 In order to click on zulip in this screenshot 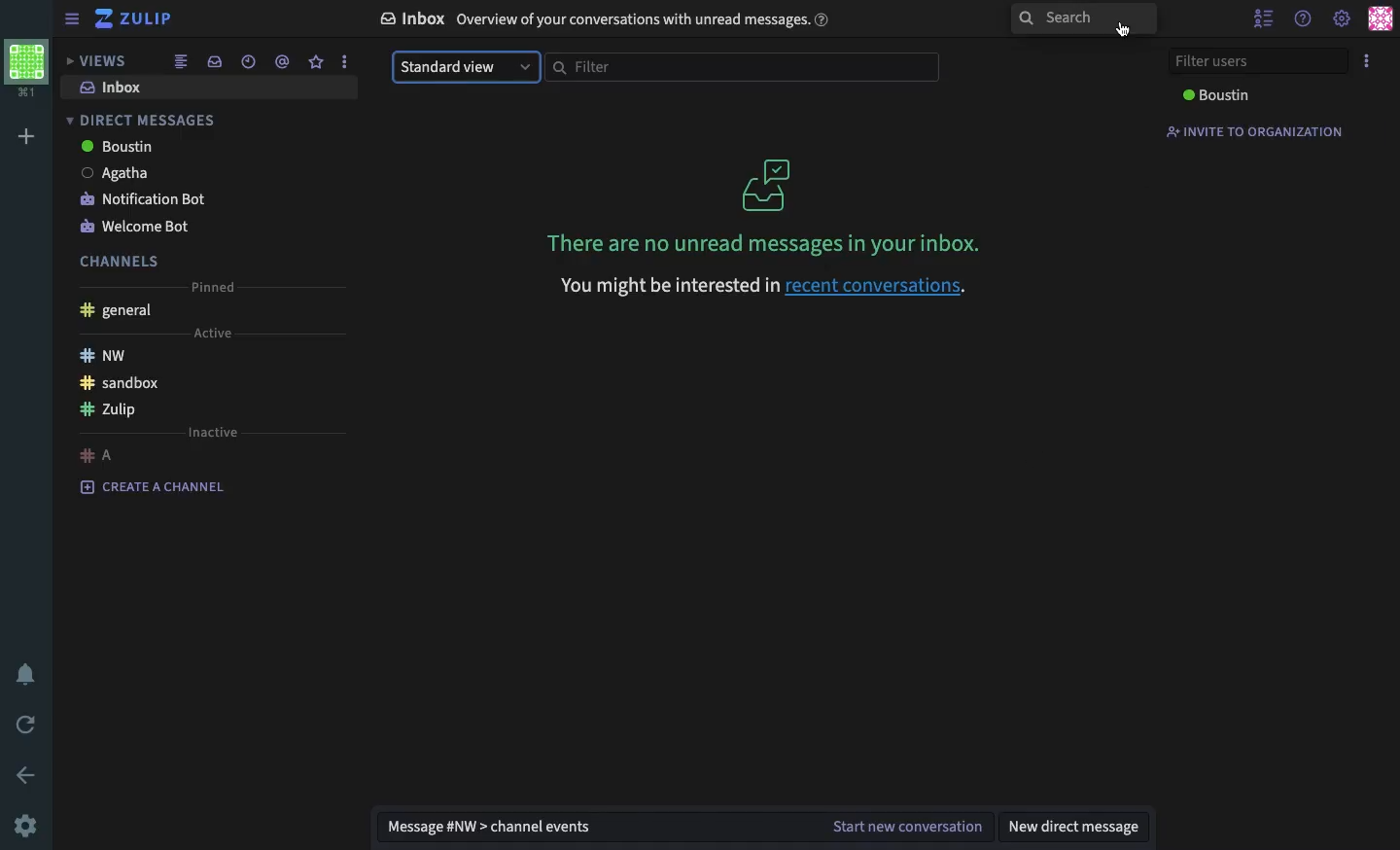, I will do `click(136, 18)`.